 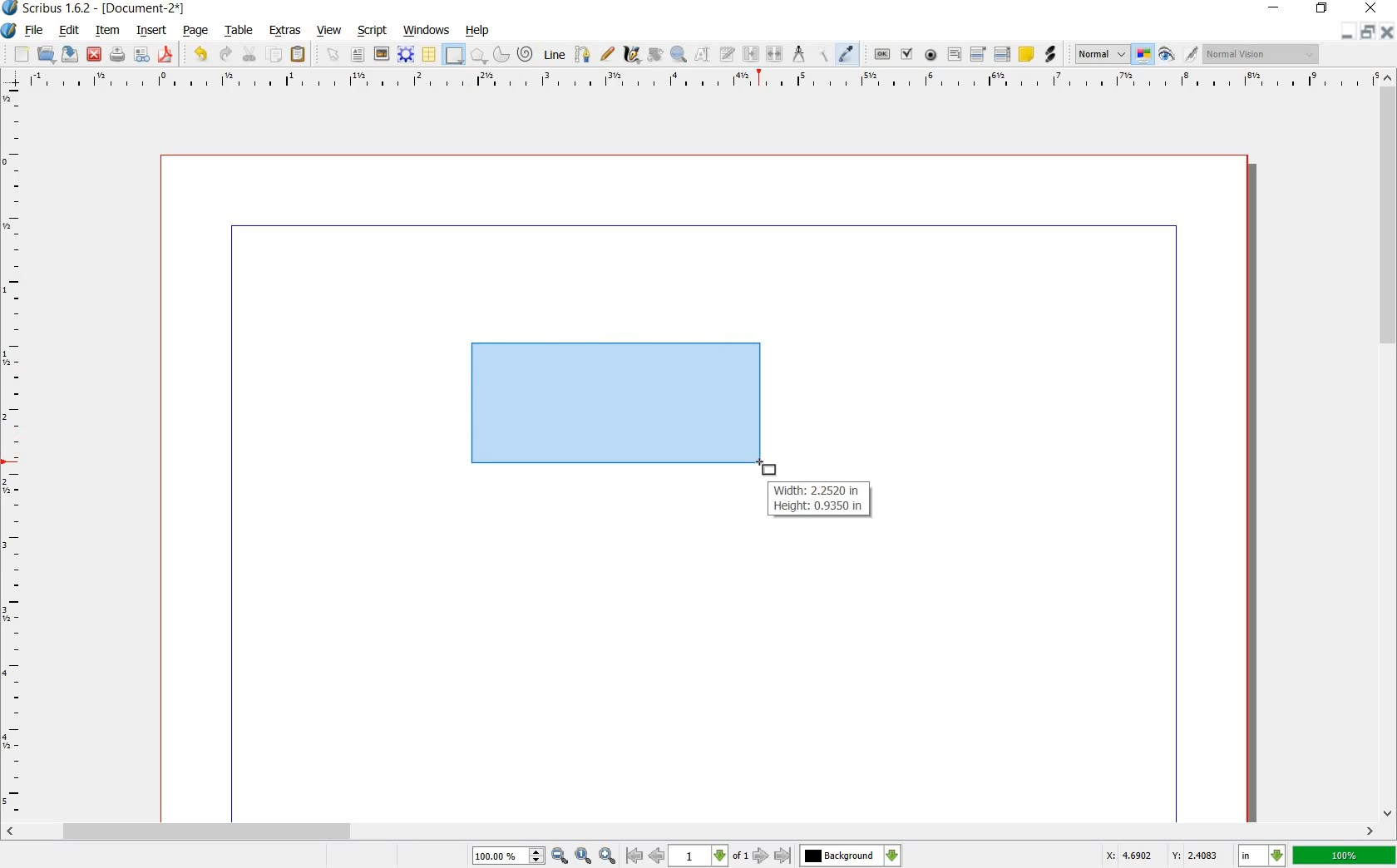 I want to click on BEZIER CURVE, so click(x=585, y=55).